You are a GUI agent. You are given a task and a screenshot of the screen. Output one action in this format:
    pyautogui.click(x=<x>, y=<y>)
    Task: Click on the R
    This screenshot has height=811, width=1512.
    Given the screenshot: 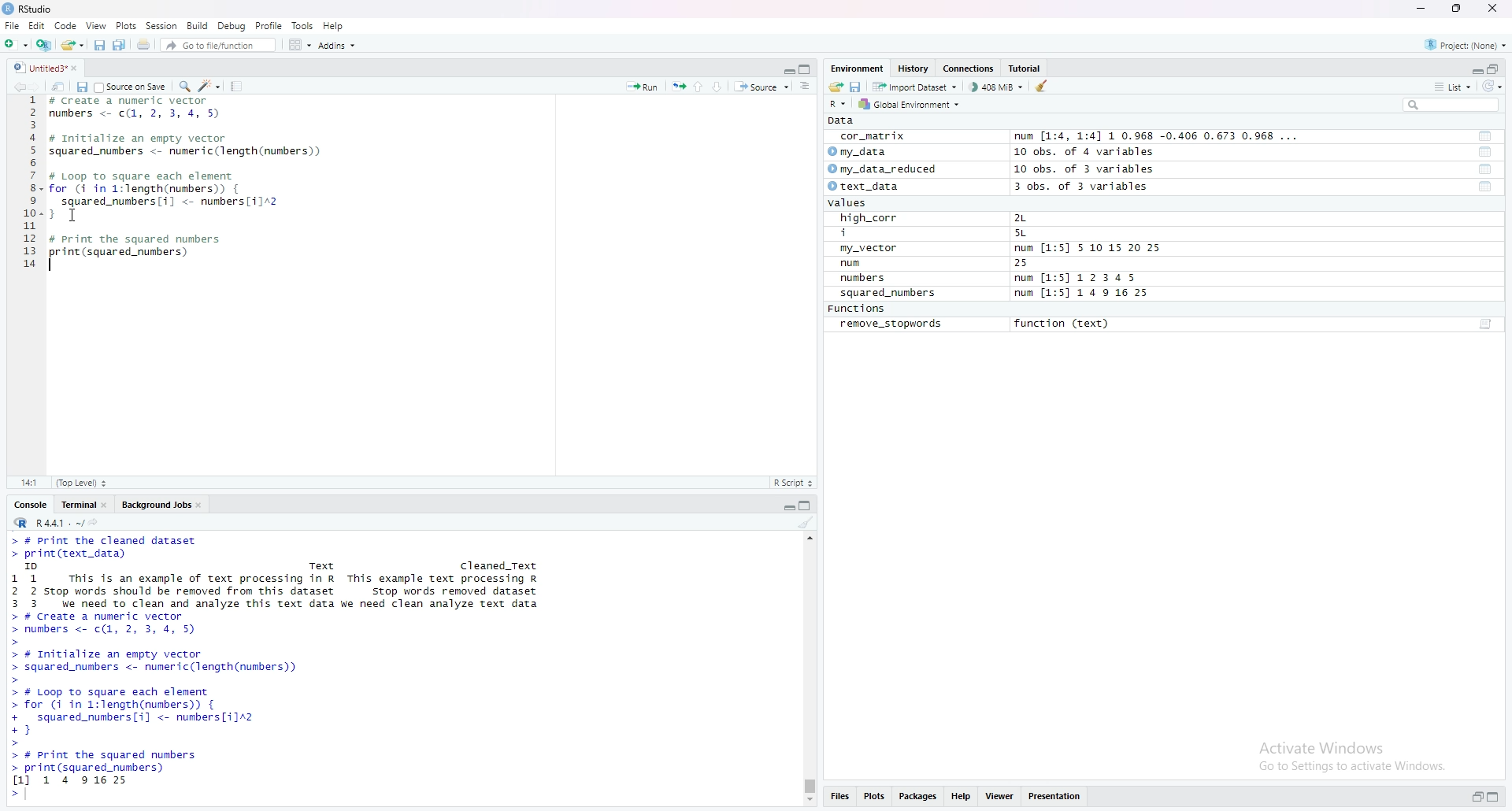 What is the action you would take?
    pyautogui.click(x=839, y=103)
    